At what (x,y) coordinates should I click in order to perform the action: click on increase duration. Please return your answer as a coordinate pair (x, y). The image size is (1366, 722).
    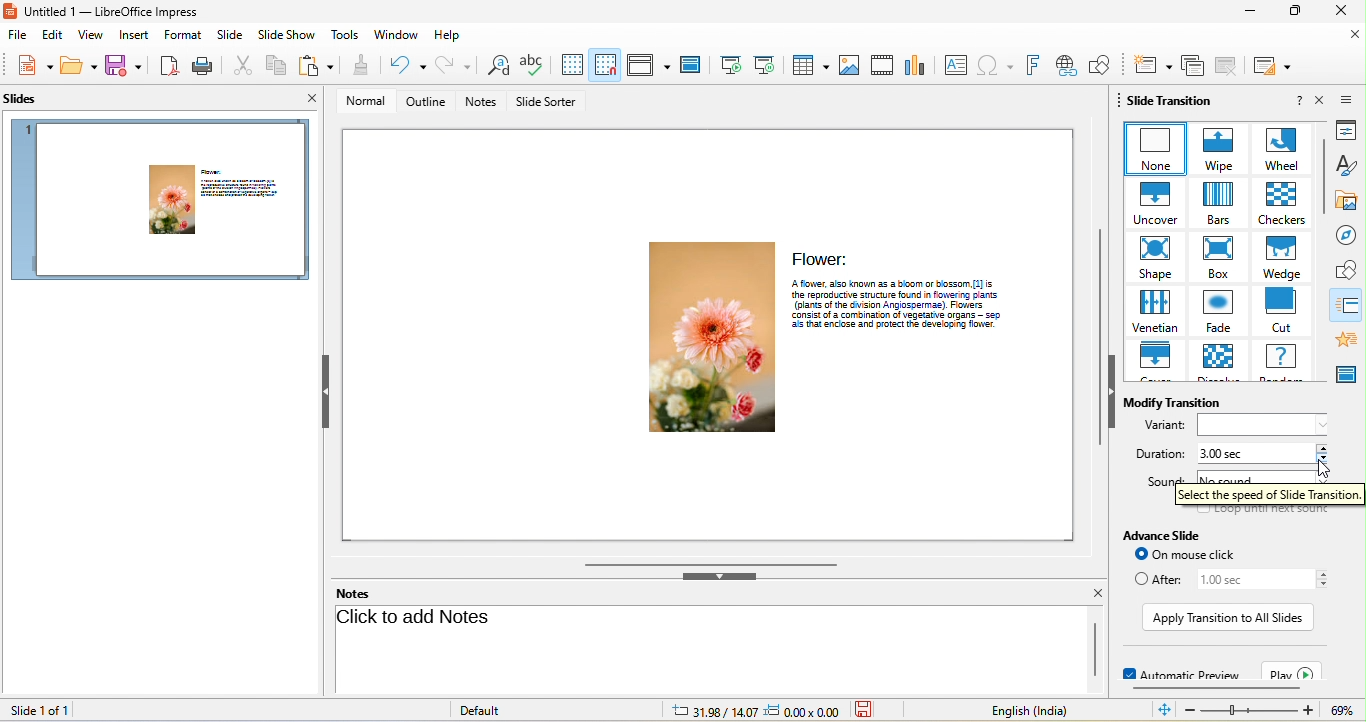
    Looking at the image, I should click on (1325, 447).